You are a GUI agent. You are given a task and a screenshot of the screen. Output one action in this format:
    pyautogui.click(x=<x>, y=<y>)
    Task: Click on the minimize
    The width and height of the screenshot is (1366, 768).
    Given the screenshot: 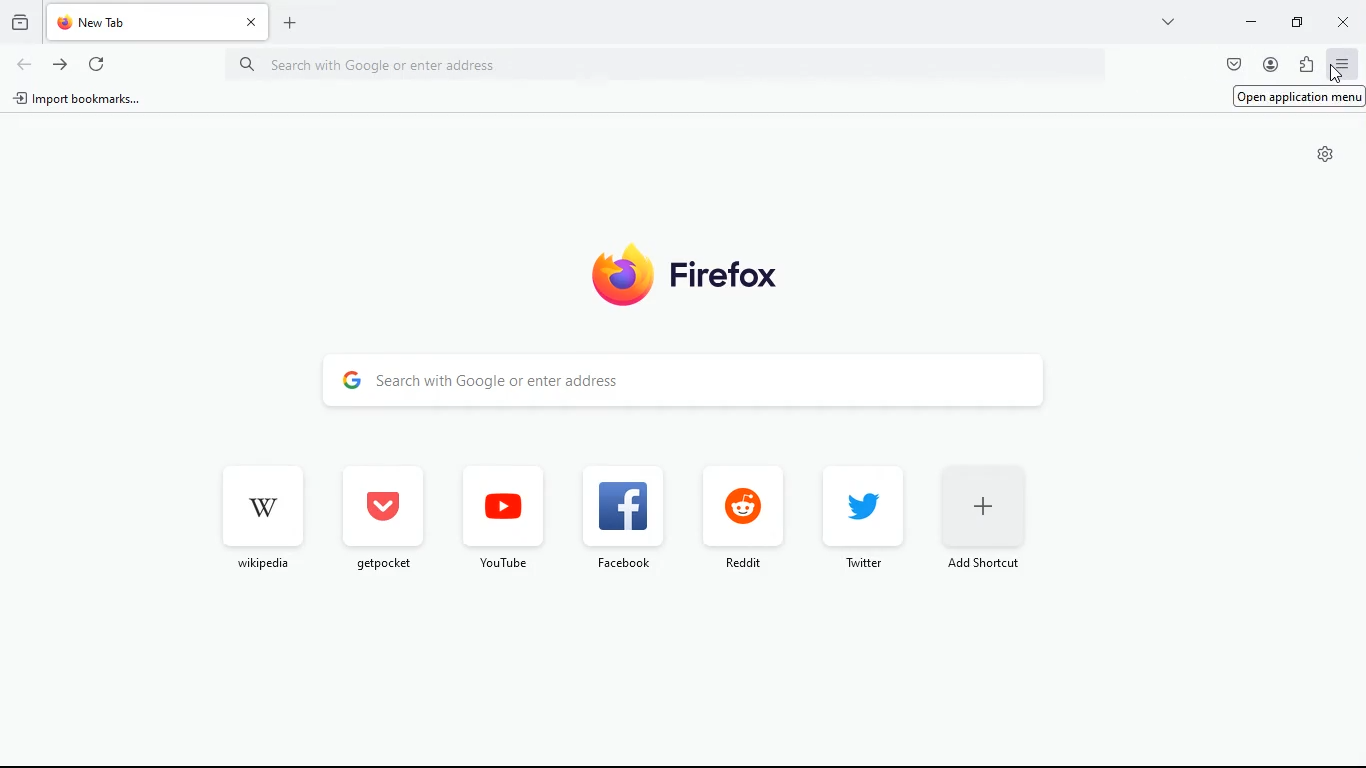 What is the action you would take?
    pyautogui.click(x=1246, y=20)
    